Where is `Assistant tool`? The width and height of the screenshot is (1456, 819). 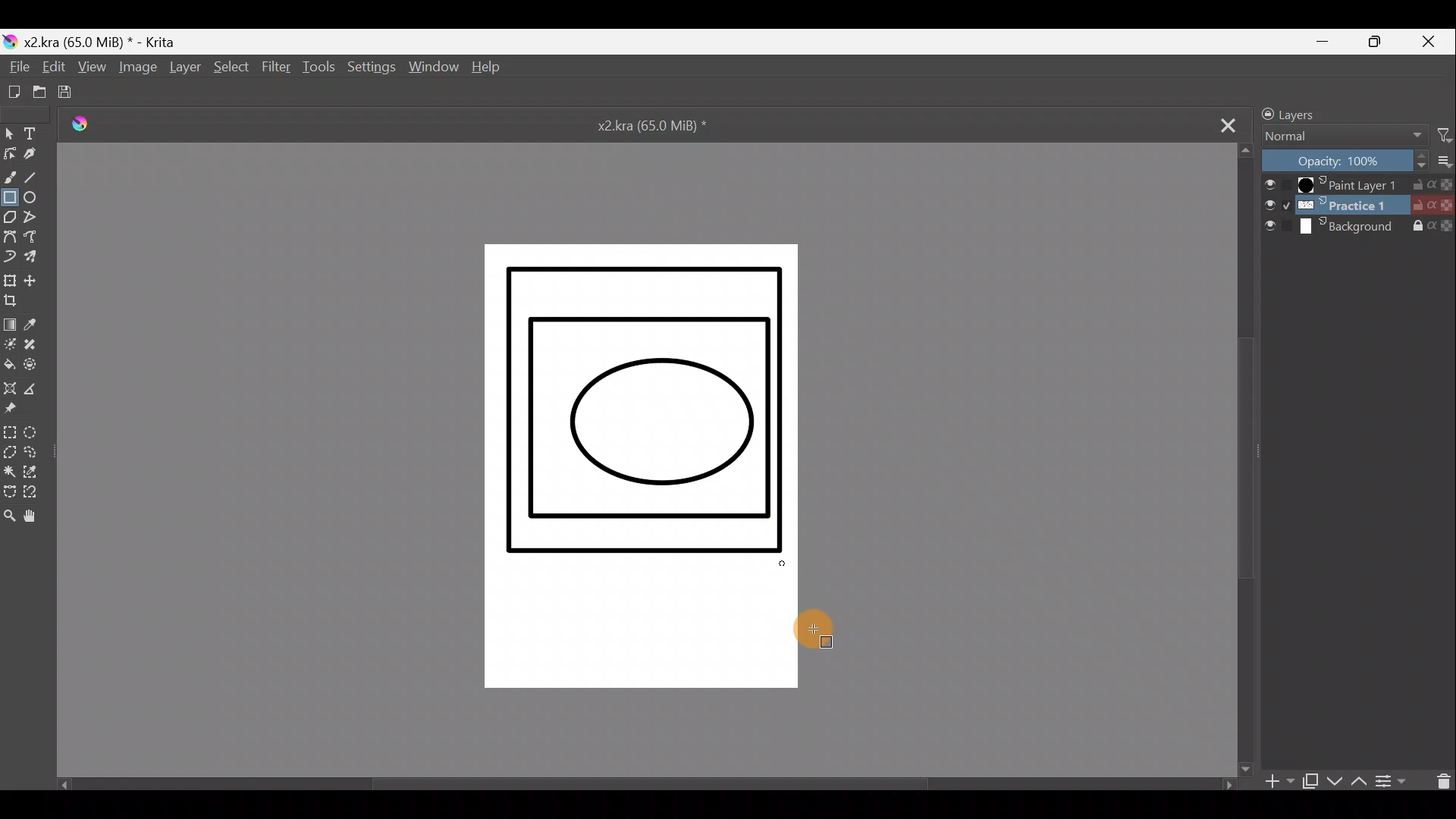 Assistant tool is located at coordinates (11, 386).